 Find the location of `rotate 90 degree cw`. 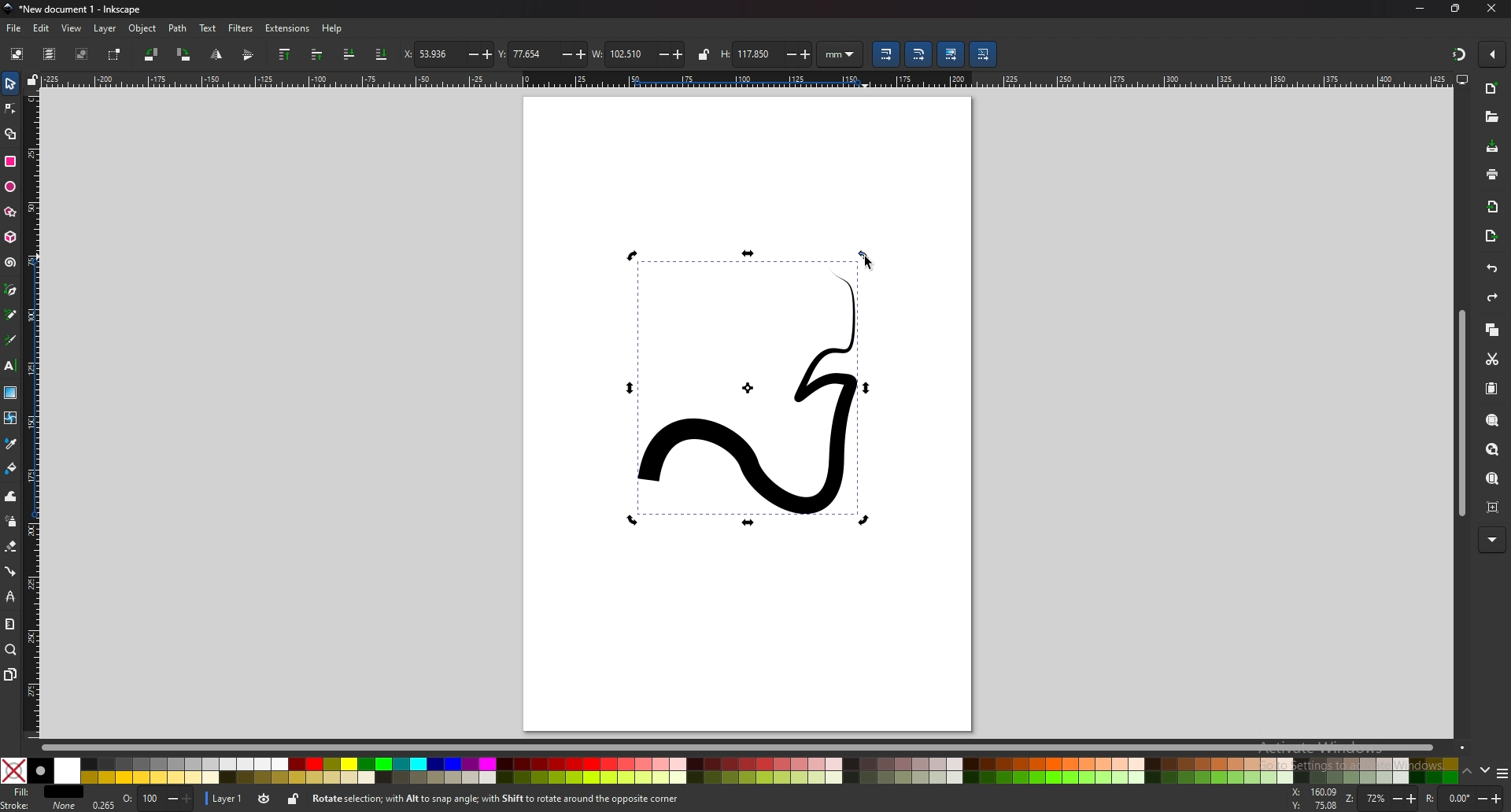

rotate 90 degree cw is located at coordinates (184, 54).